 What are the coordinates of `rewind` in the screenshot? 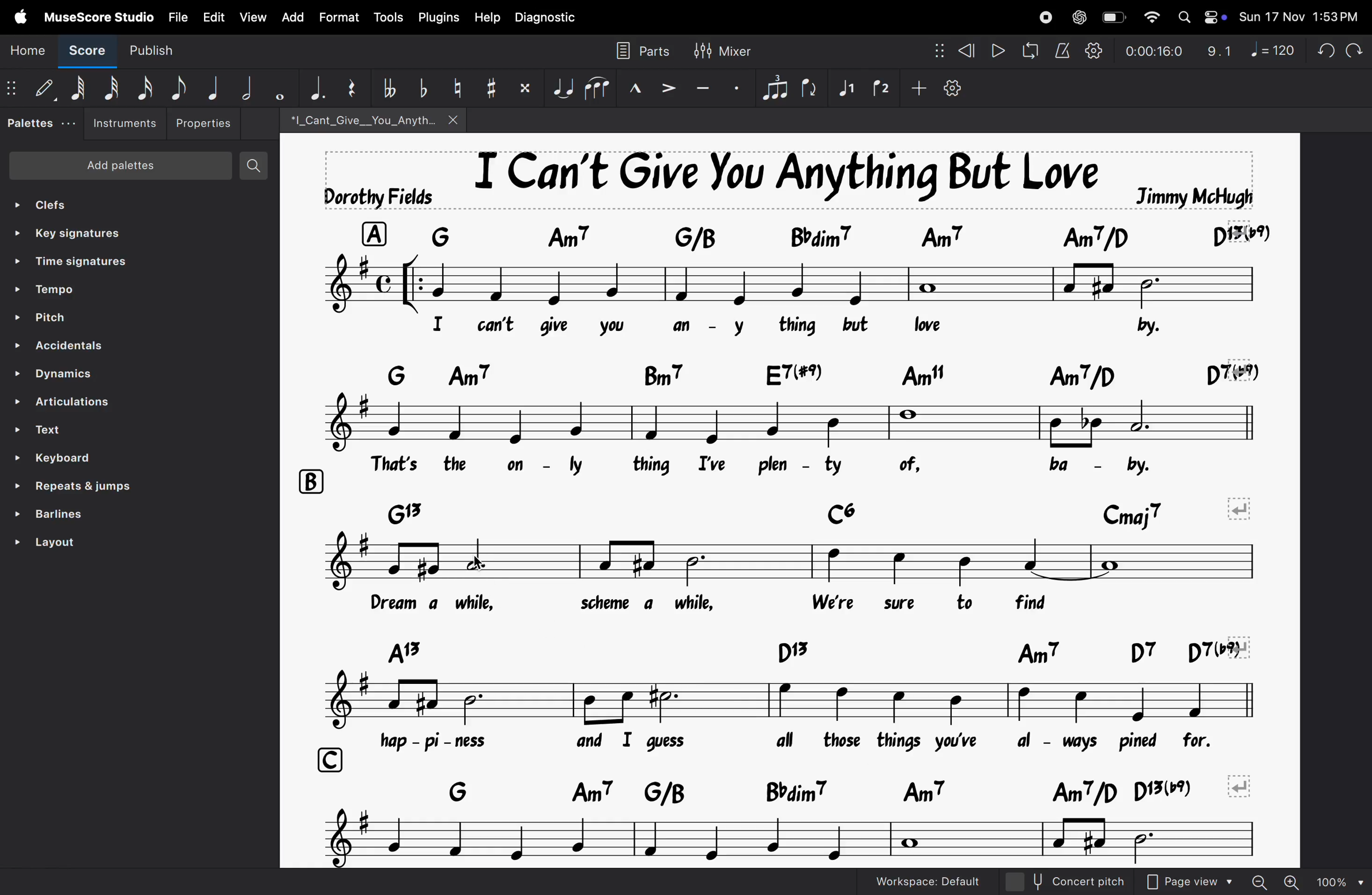 It's located at (966, 49).